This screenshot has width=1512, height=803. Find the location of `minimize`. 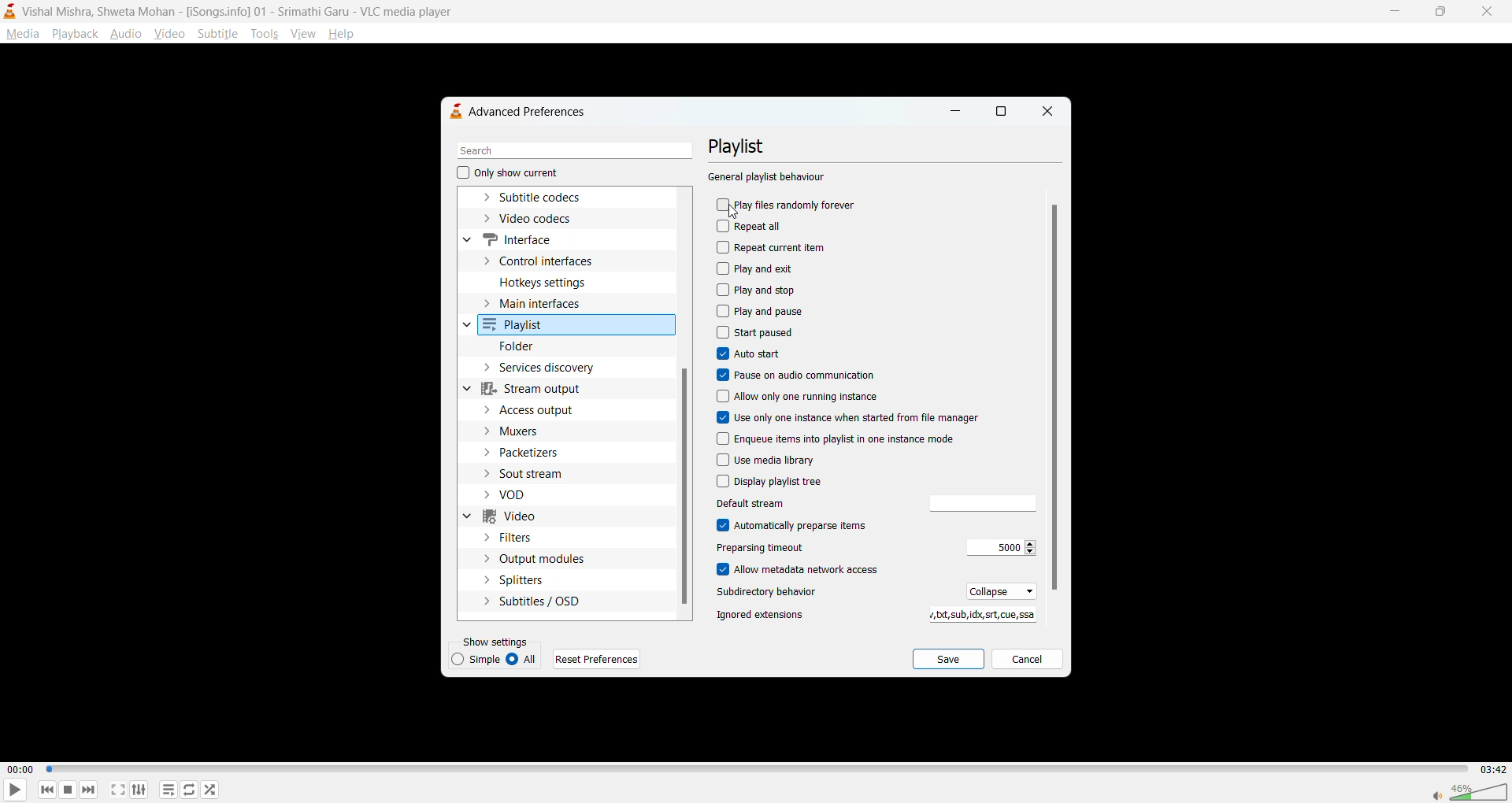

minimize is located at coordinates (954, 114).